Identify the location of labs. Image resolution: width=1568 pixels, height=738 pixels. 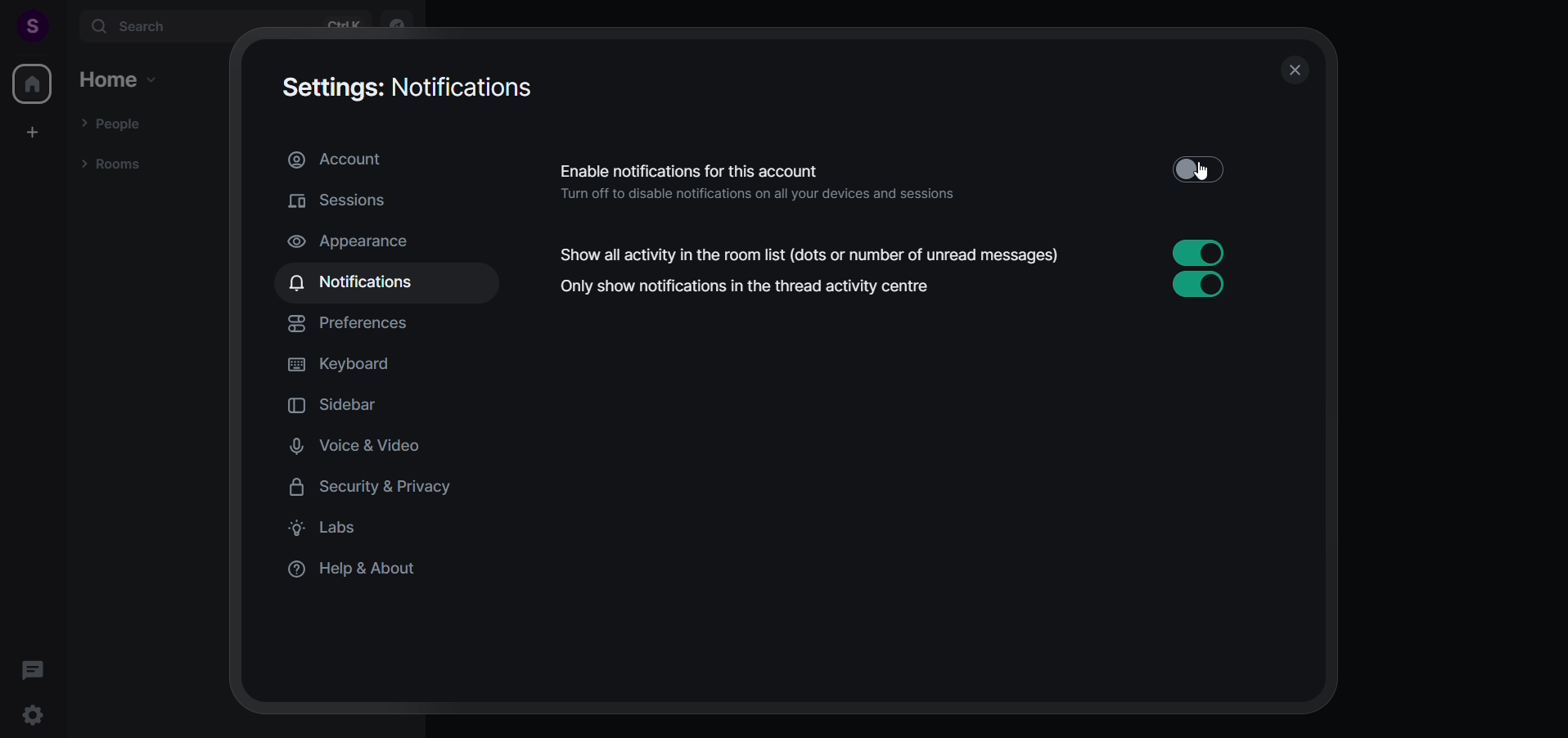
(333, 530).